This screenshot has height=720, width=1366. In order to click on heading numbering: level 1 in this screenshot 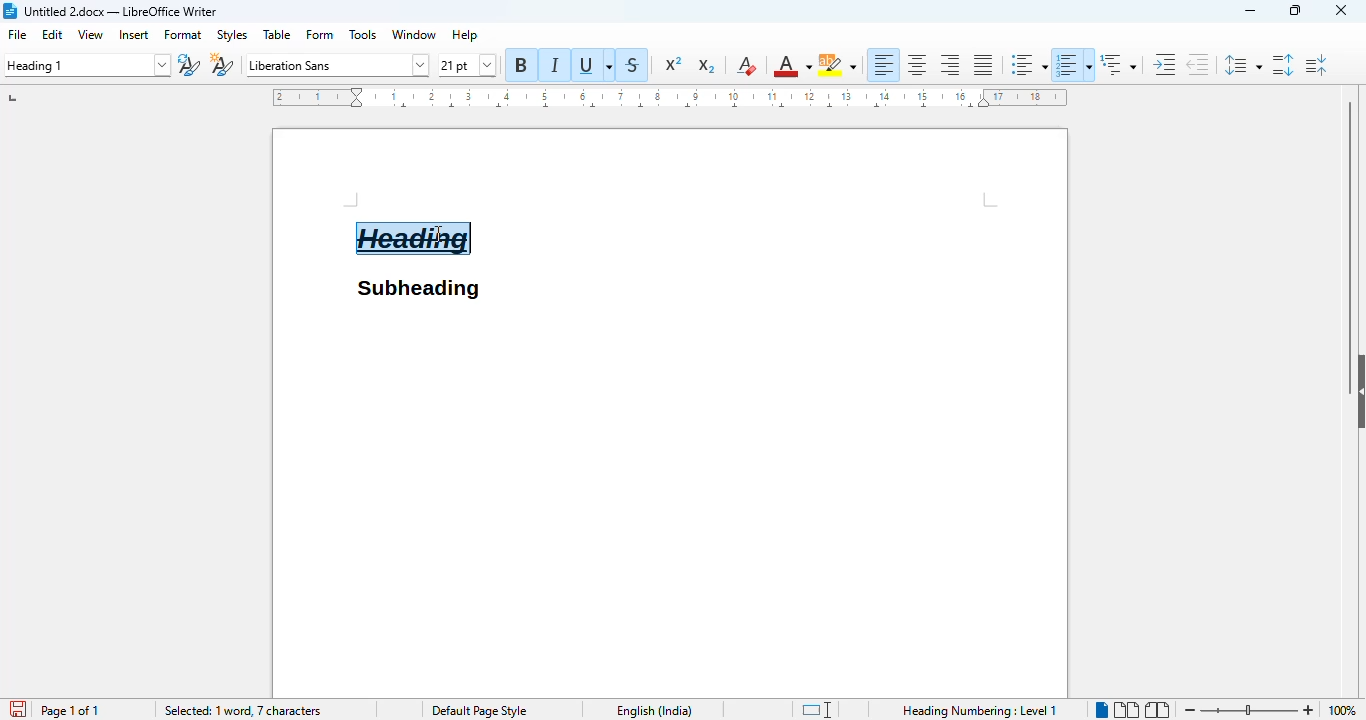, I will do `click(978, 710)`.